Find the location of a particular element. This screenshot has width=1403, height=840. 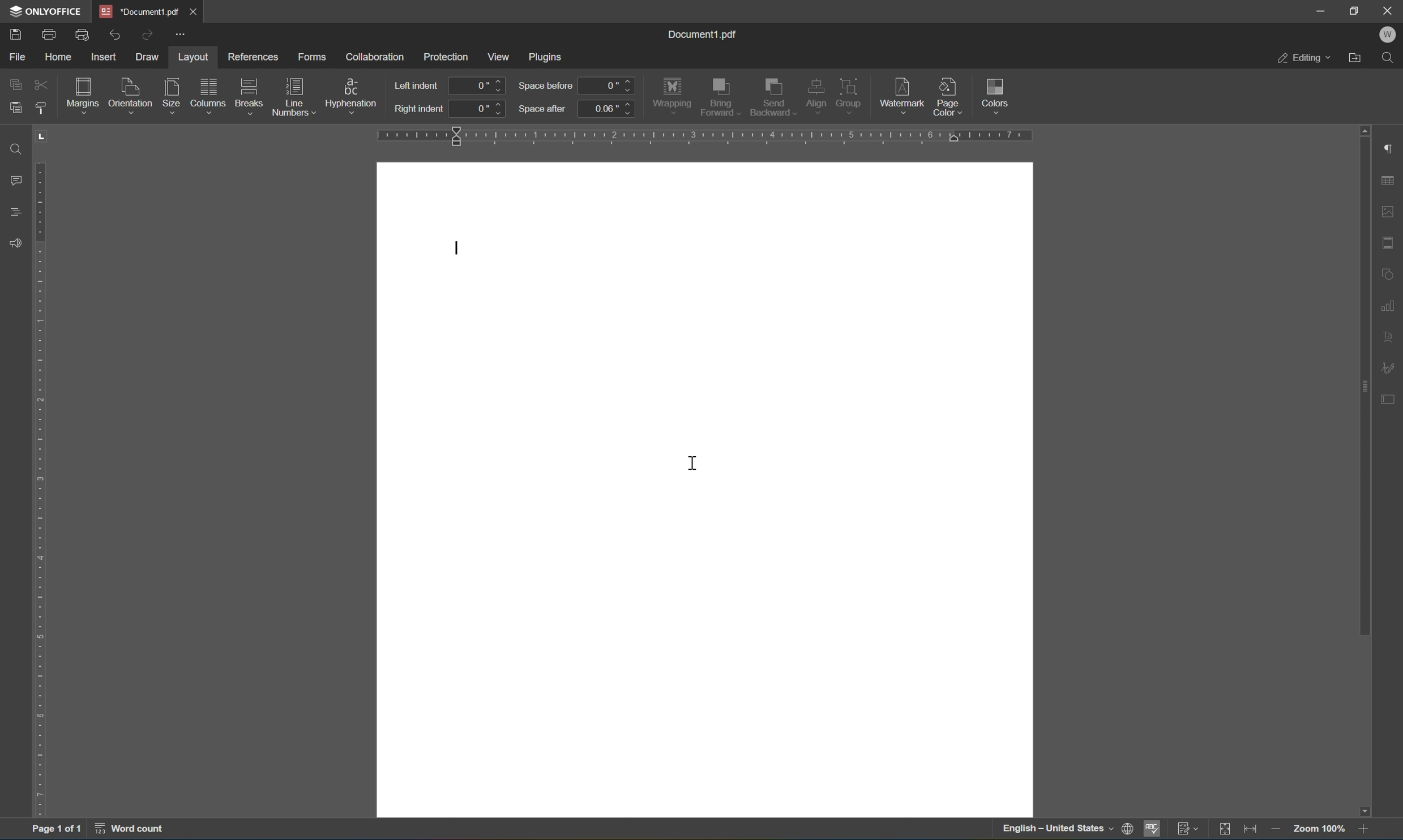

cursor is located at coordinates (692, 461).